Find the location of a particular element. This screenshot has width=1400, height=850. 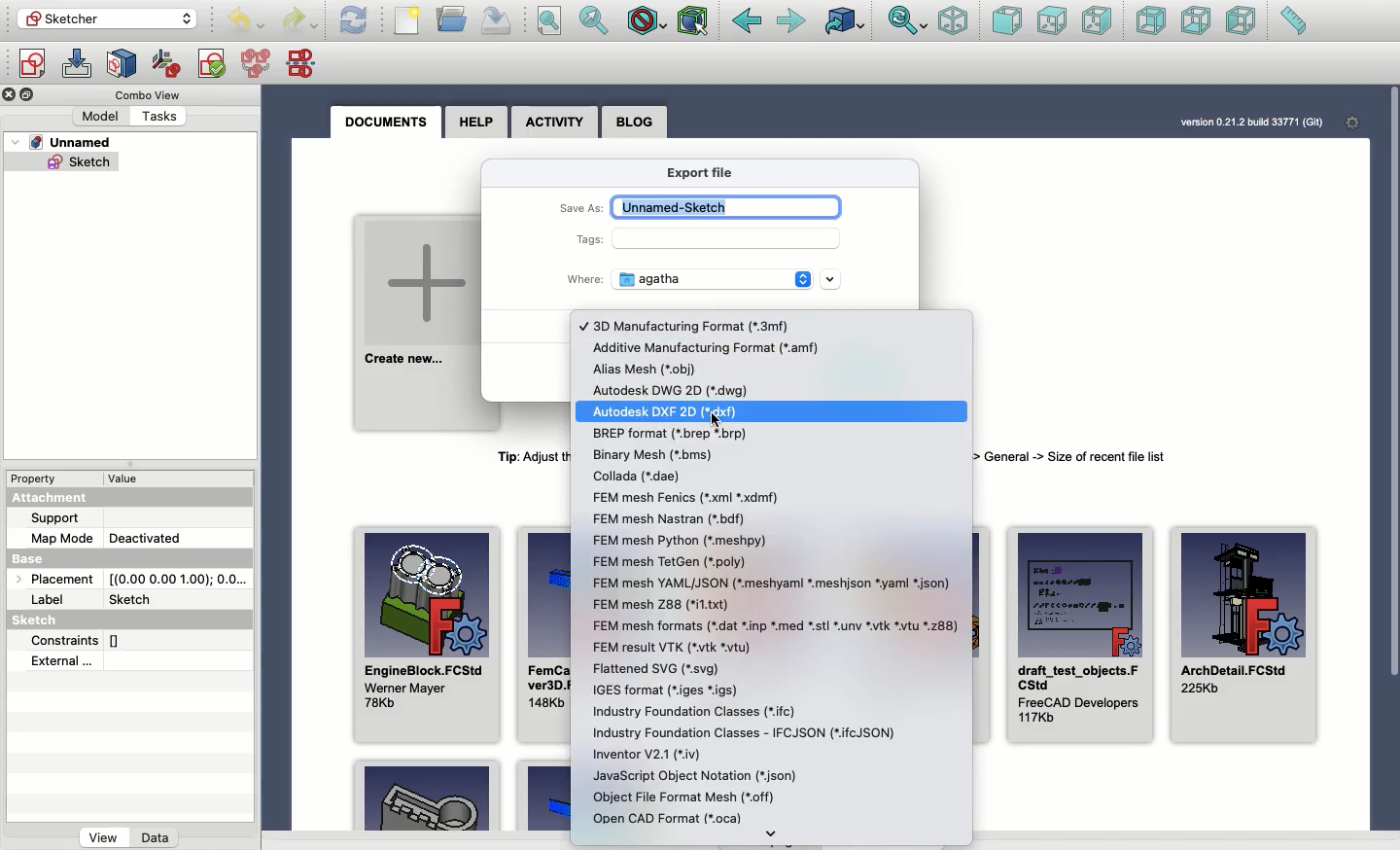

igs is located at coordinates (663, 691).